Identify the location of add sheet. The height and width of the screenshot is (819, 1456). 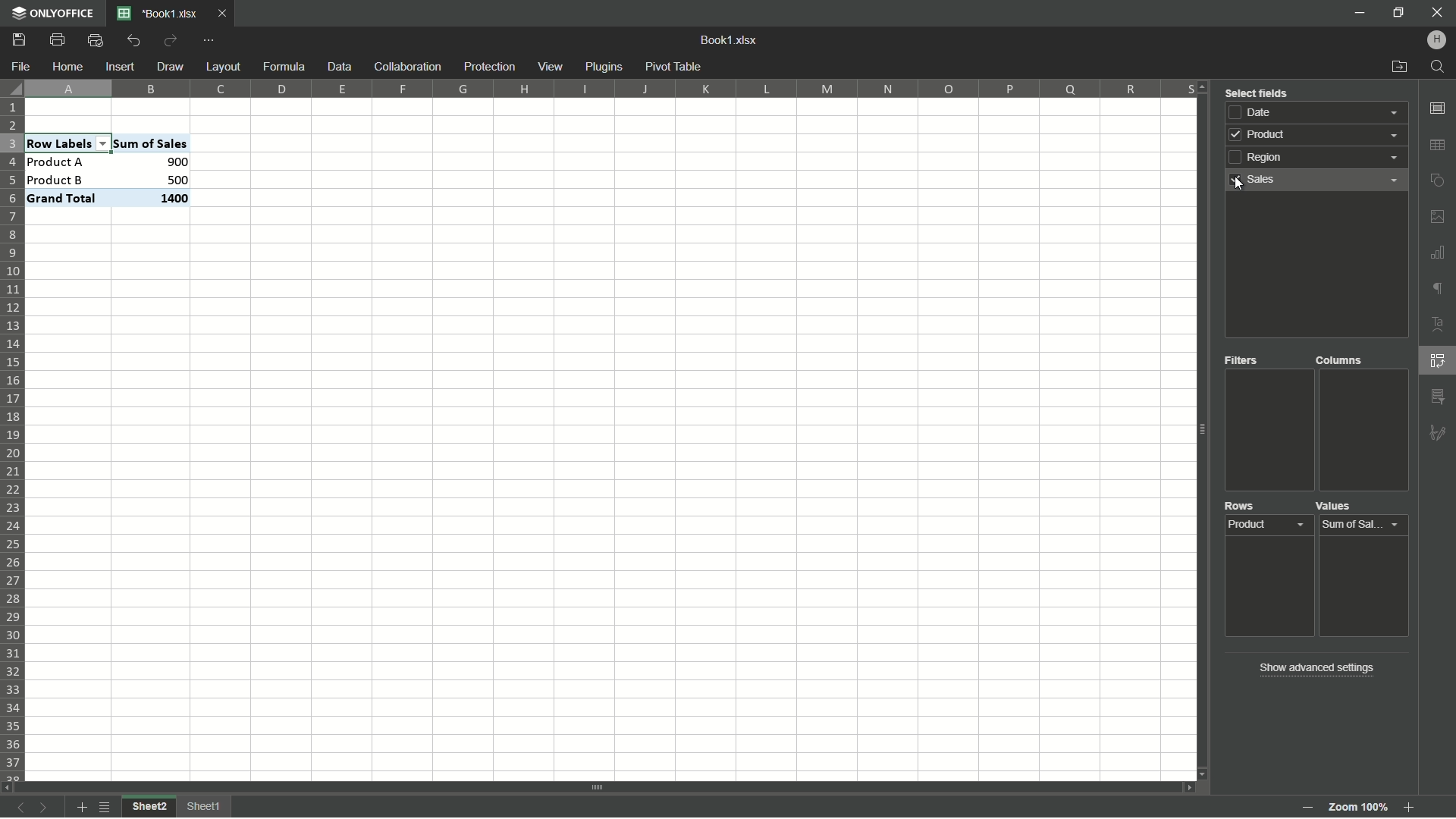
(80, 808).